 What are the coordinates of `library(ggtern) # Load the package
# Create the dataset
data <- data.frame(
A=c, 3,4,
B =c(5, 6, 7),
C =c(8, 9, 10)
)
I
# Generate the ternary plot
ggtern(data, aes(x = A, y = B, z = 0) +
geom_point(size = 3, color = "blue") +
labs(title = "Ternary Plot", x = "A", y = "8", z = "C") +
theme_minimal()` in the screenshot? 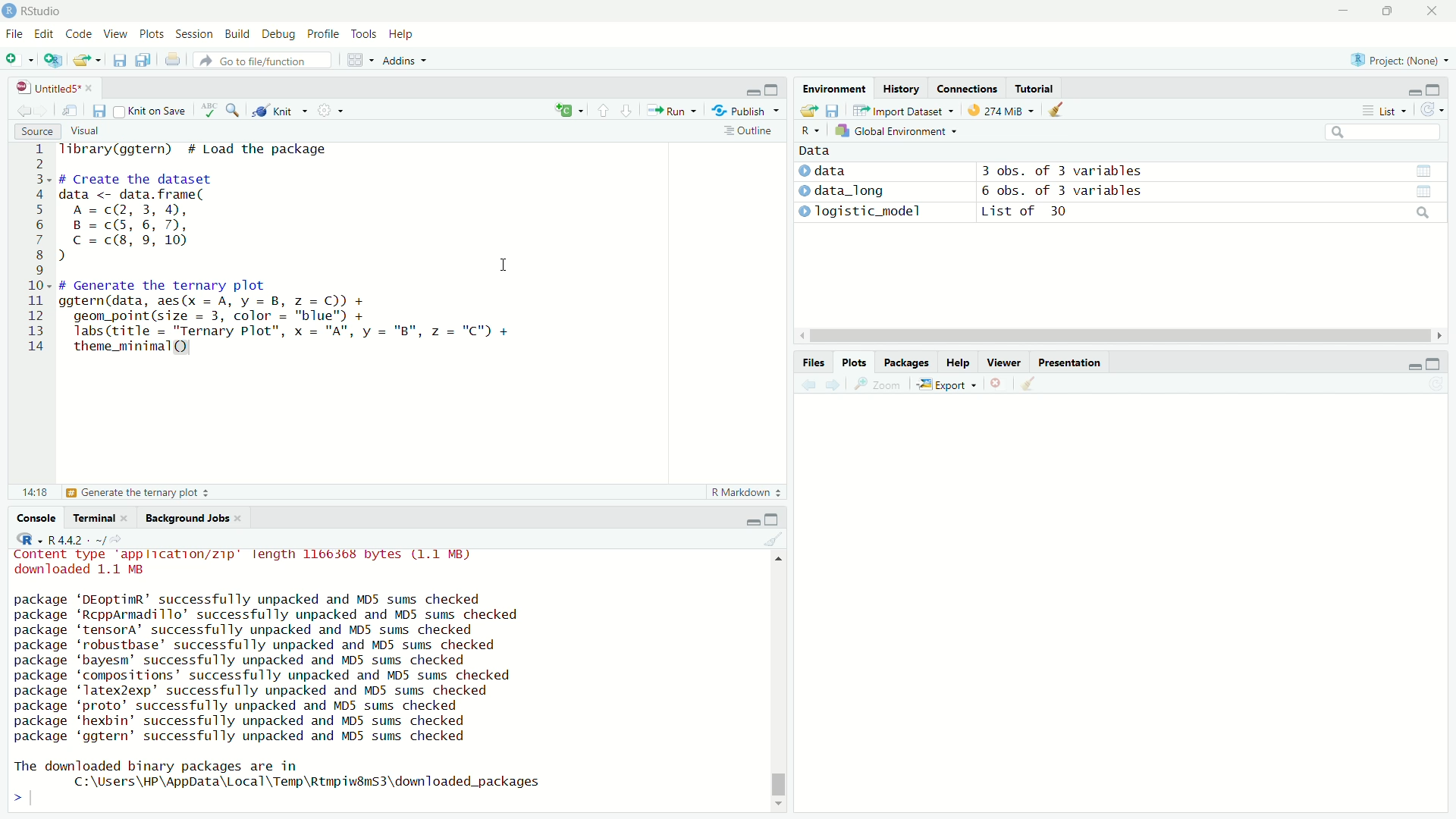 It's located at (297, 255).